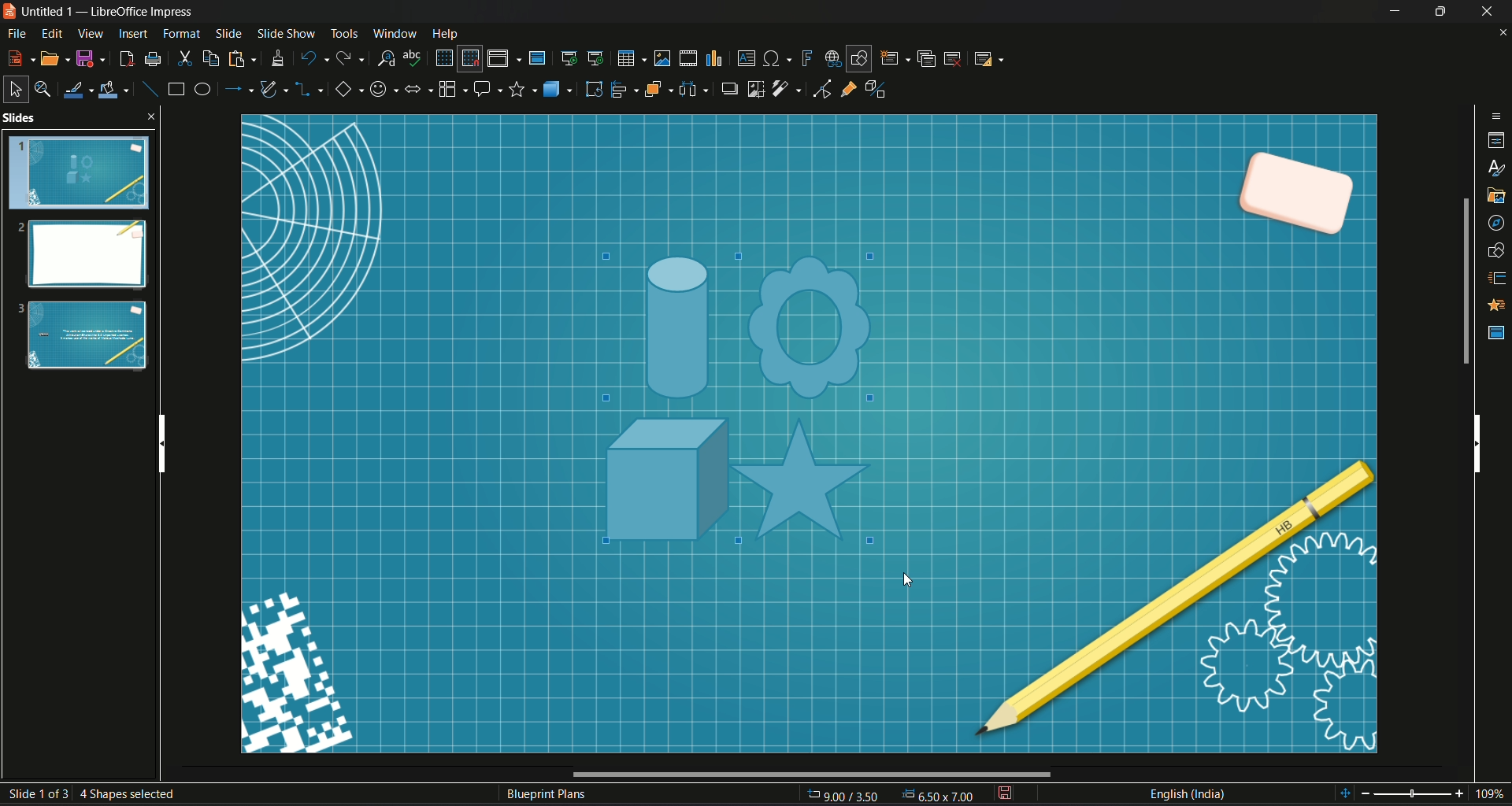 This screenshot has width=1512, height=806. Describe the element at coordinates (536, 57) in the screenshot. I see `master slide` at that location.